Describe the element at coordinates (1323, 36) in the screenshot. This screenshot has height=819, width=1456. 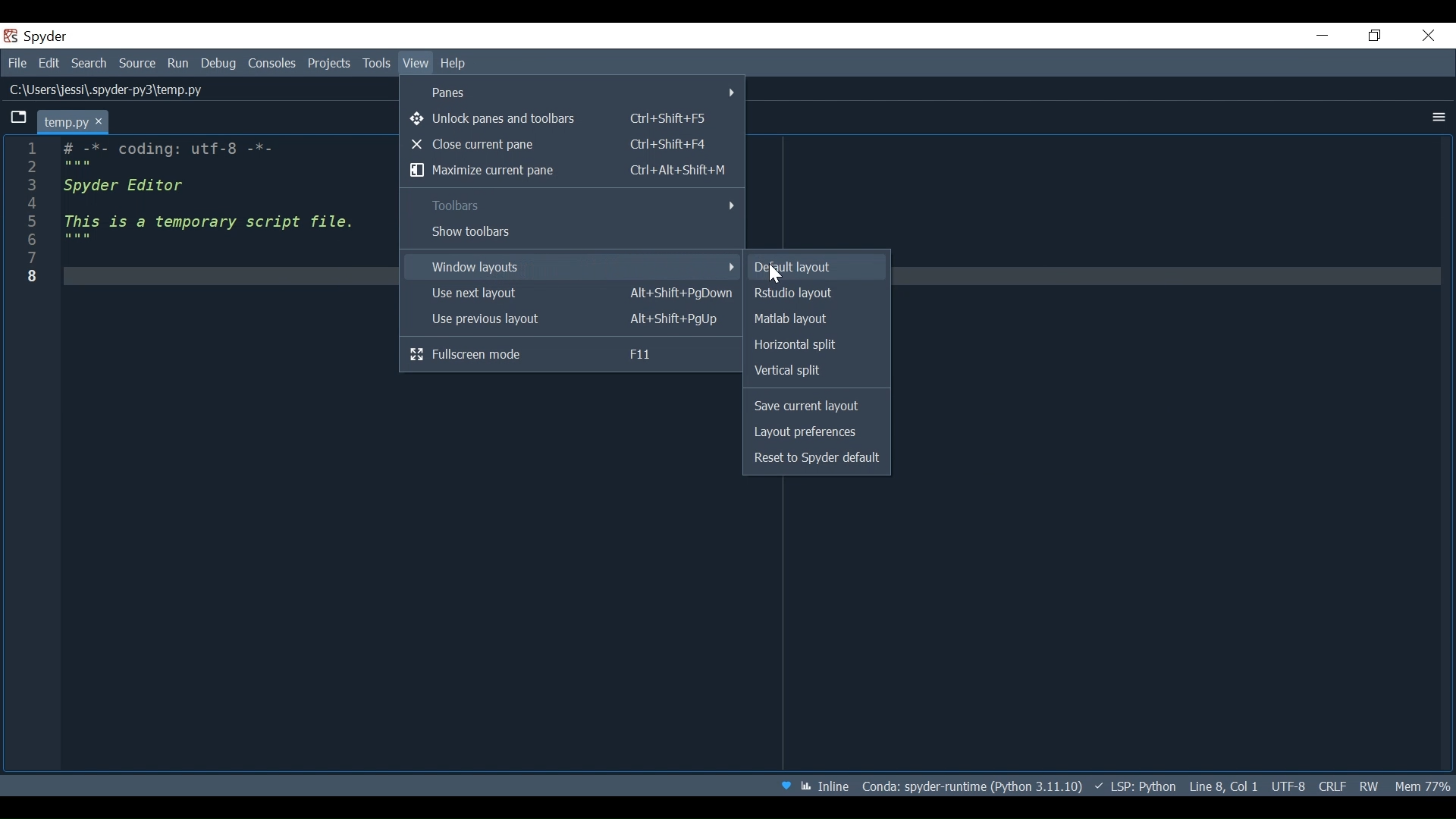
I see `Minimize` at that location.